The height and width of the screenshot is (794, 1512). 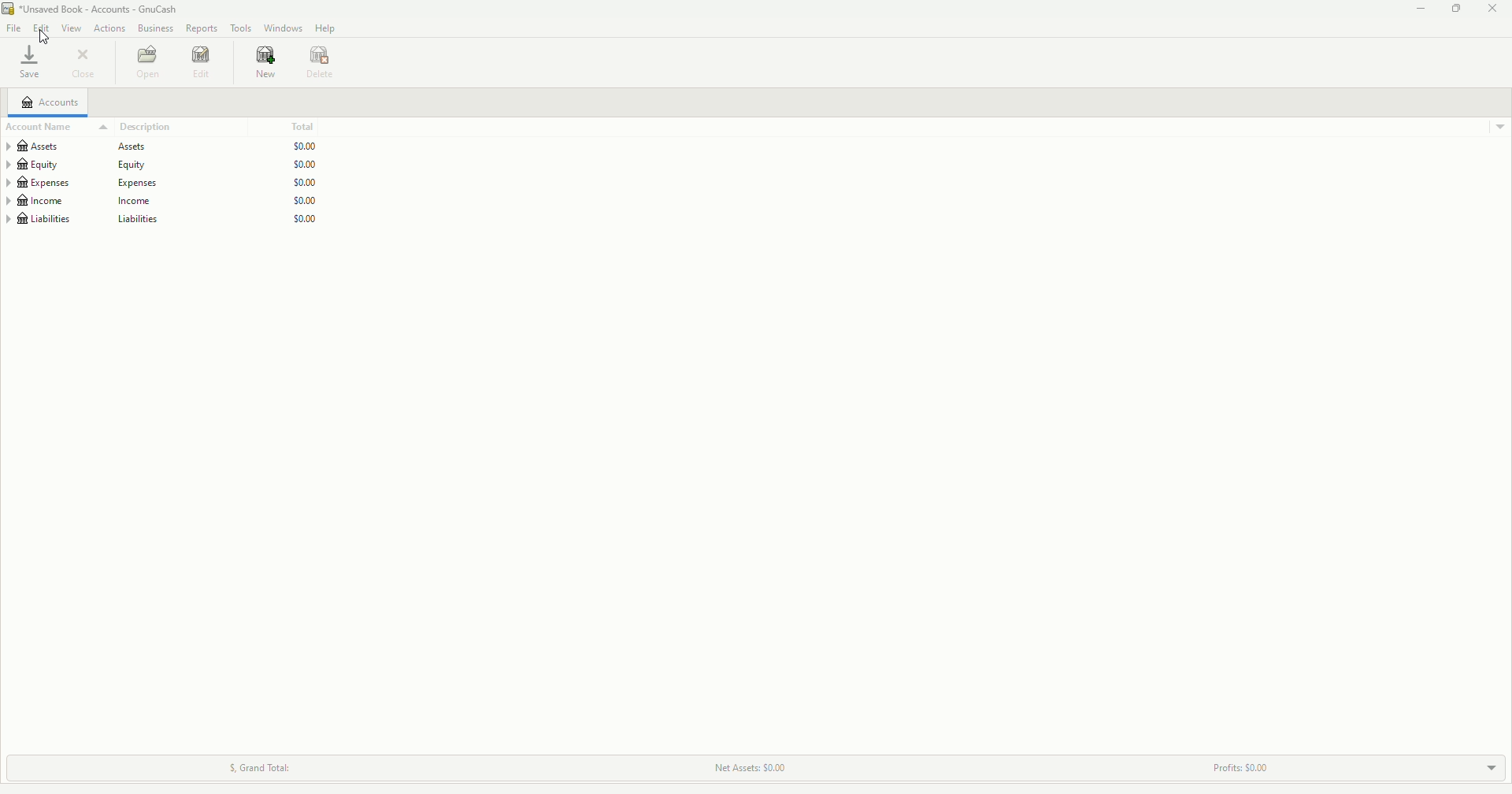 What do you see at coordinates (263, 64) in the screenshot?
I see `New` at bounding box center [263, 64].